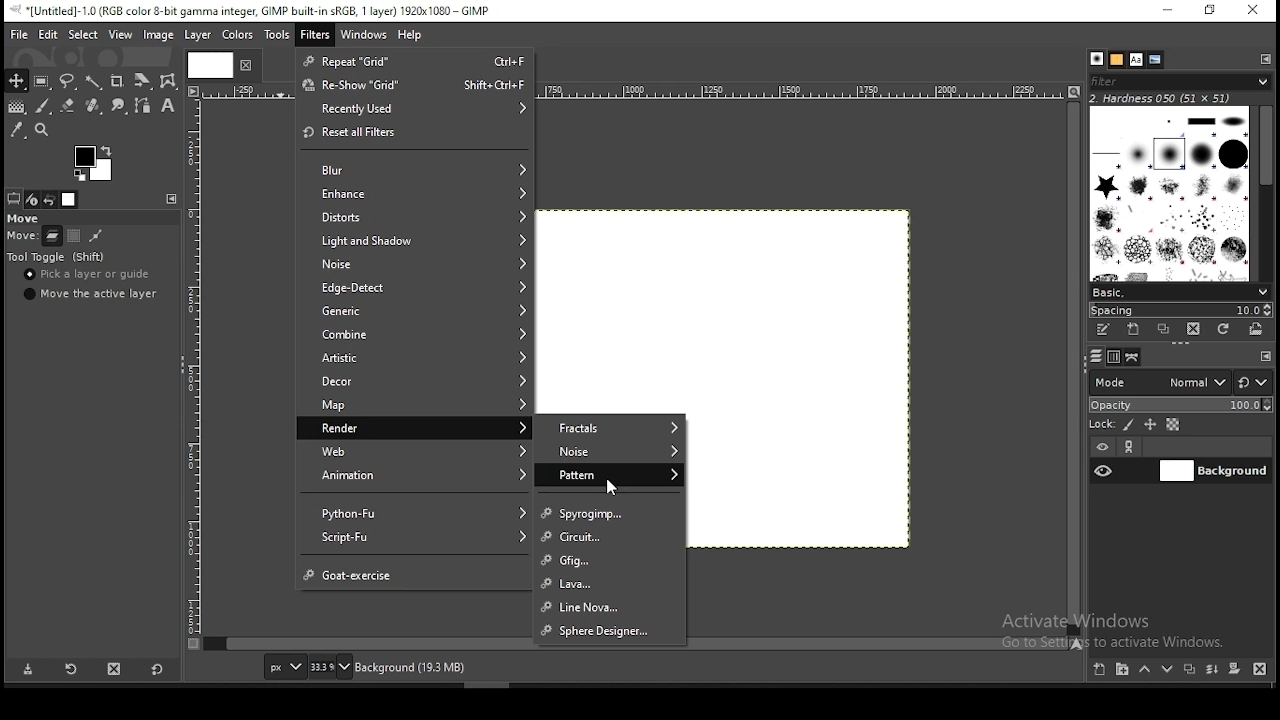  Describe the element at coordinates (1255, 12) in the screenshot. I see `close window` at that location.